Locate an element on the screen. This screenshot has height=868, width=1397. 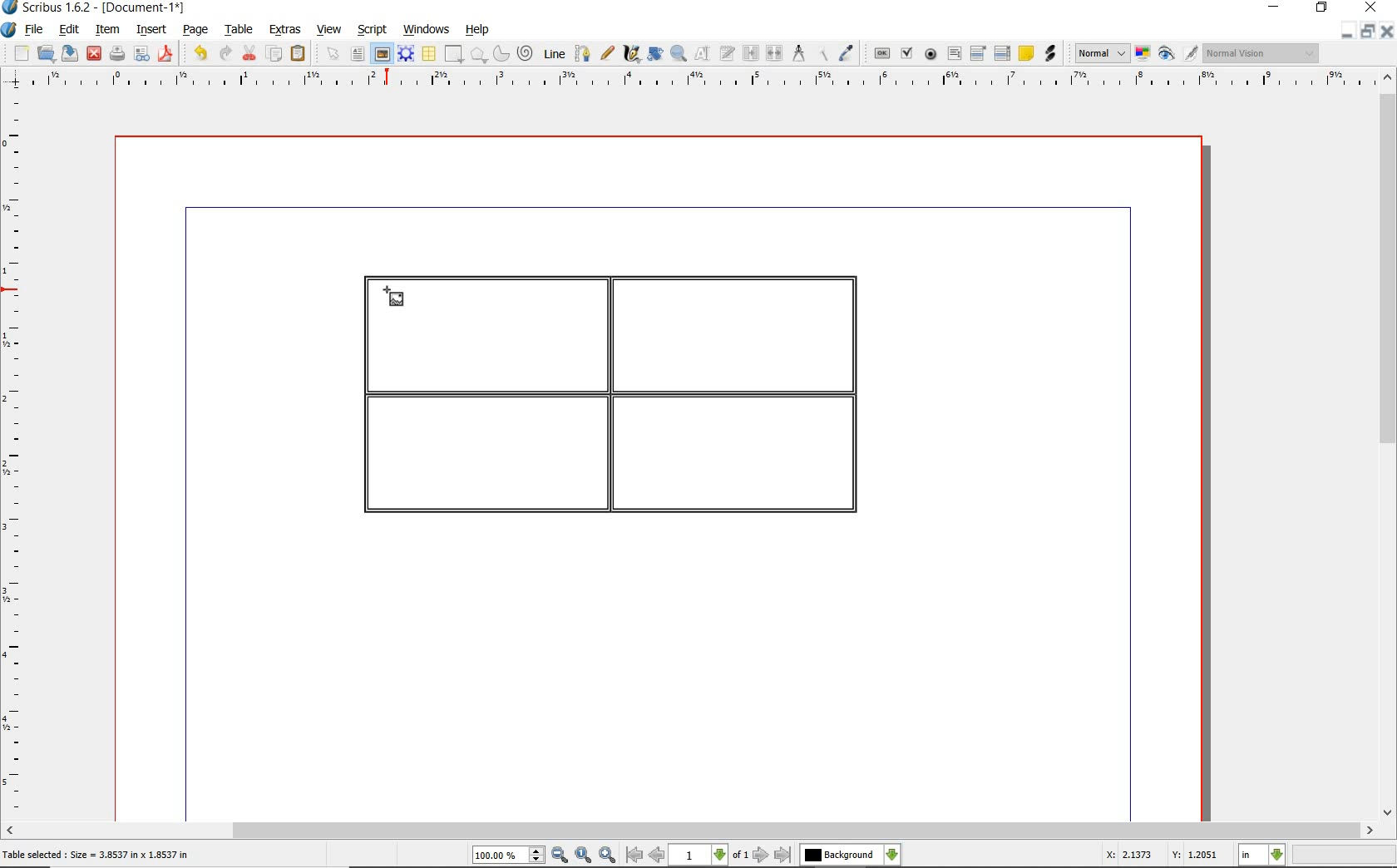
go to next page is located at coordinates (761, 855).